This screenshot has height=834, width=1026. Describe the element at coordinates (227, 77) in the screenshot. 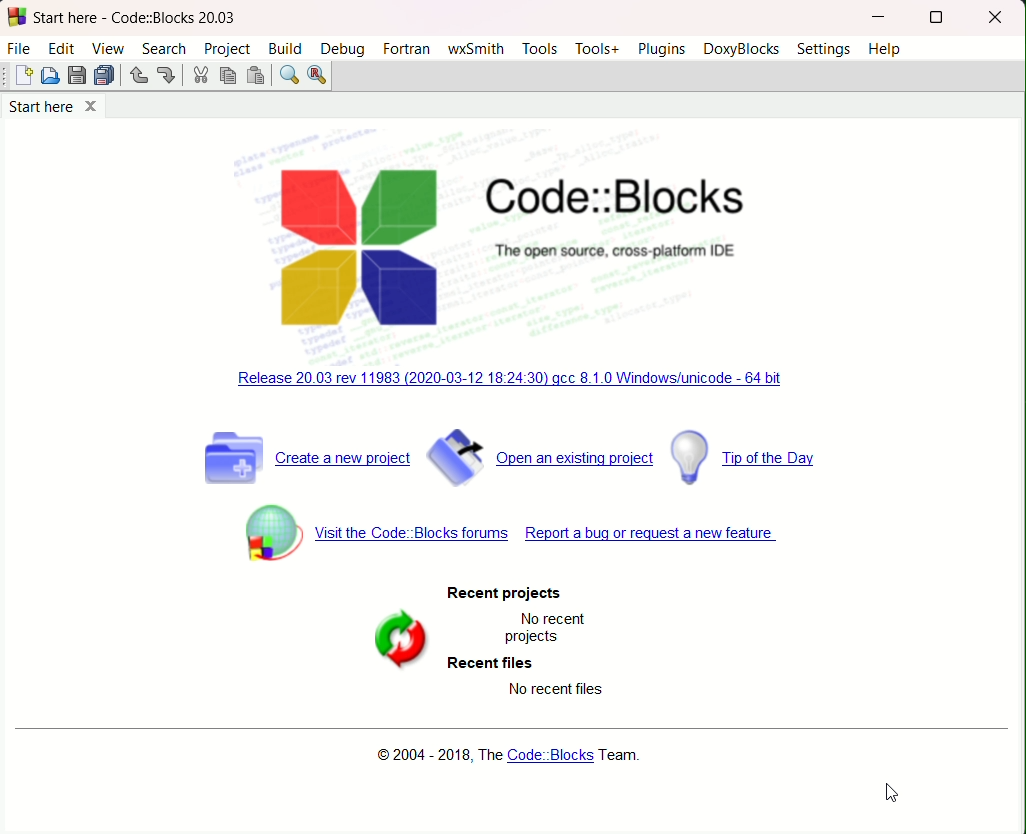

I see `copy` at that location.